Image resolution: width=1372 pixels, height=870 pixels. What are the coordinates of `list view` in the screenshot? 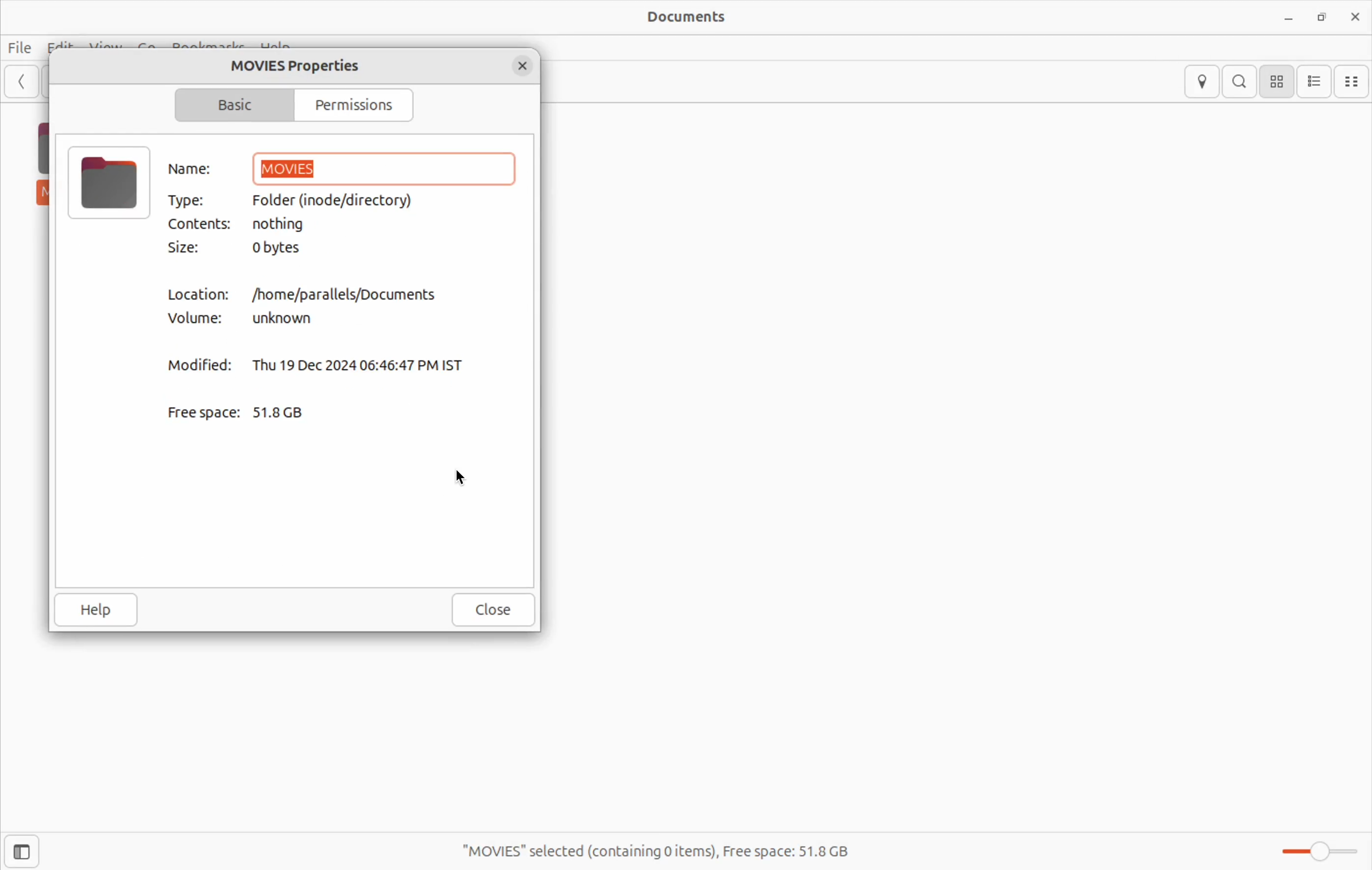 It's located at (1315, 80).